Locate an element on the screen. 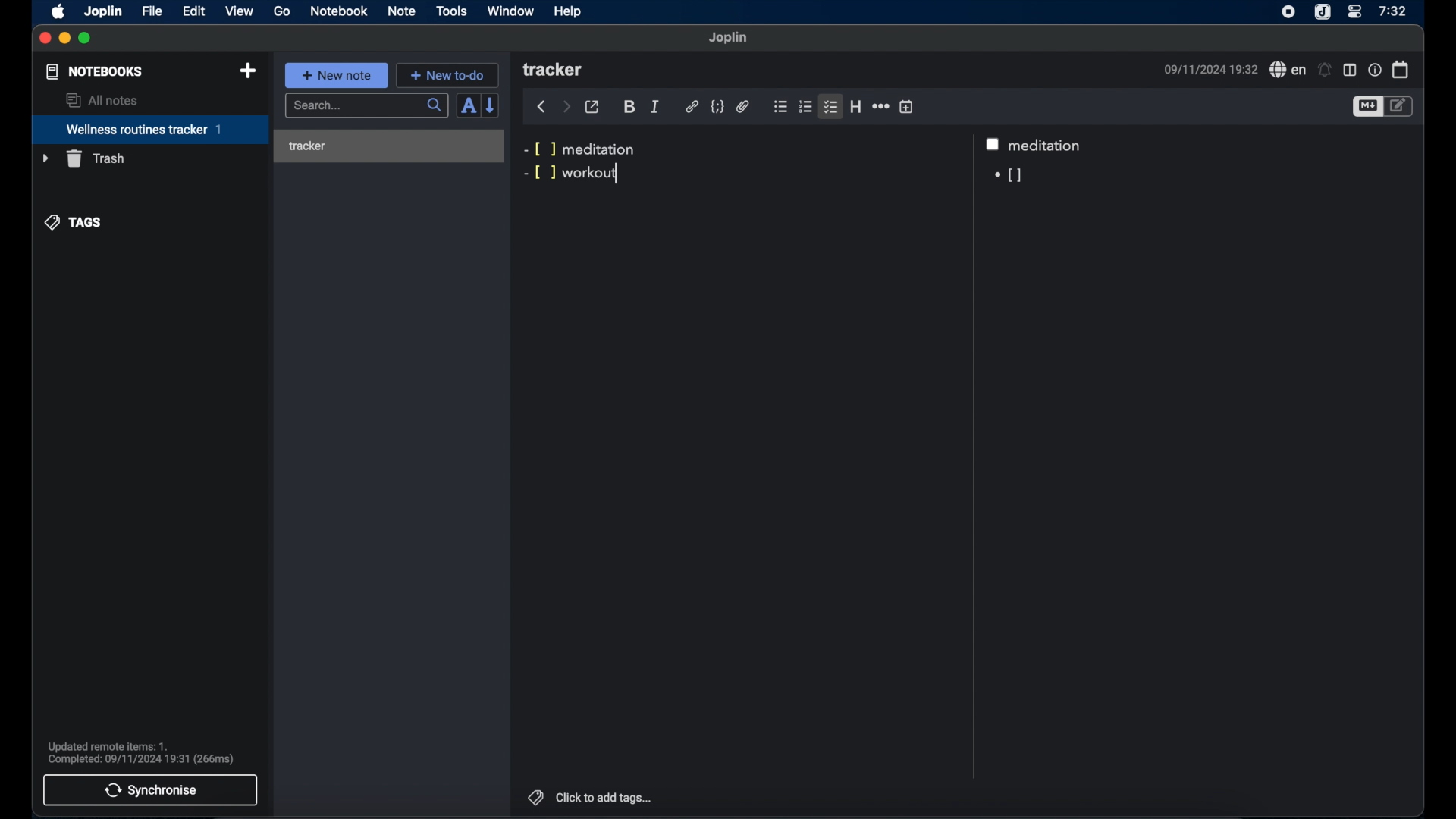 Image resolution: width=1456 pixels, height=819 pixels. + new note is located at coordinates (337, 75).